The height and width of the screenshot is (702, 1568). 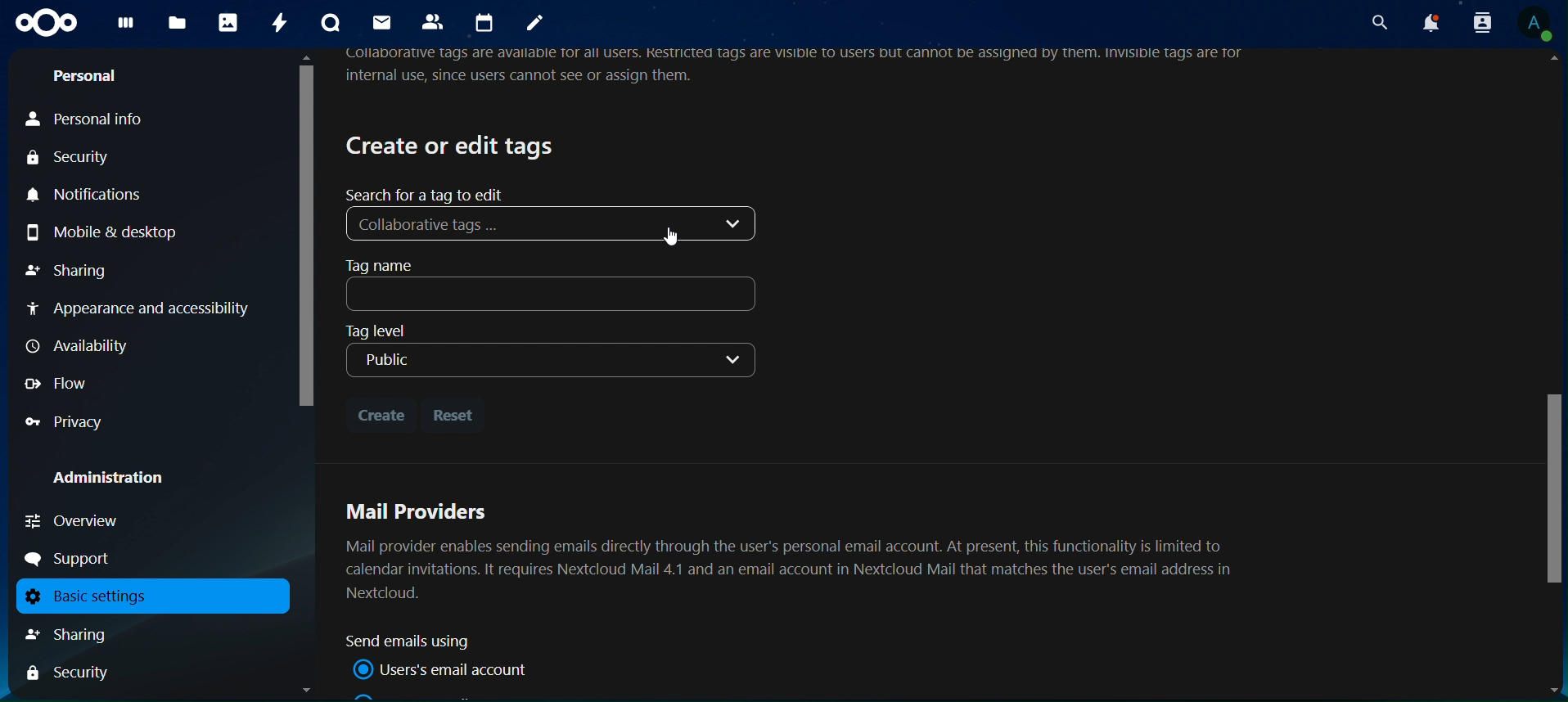 I want to click on calendar, so click(x=487, y=23).